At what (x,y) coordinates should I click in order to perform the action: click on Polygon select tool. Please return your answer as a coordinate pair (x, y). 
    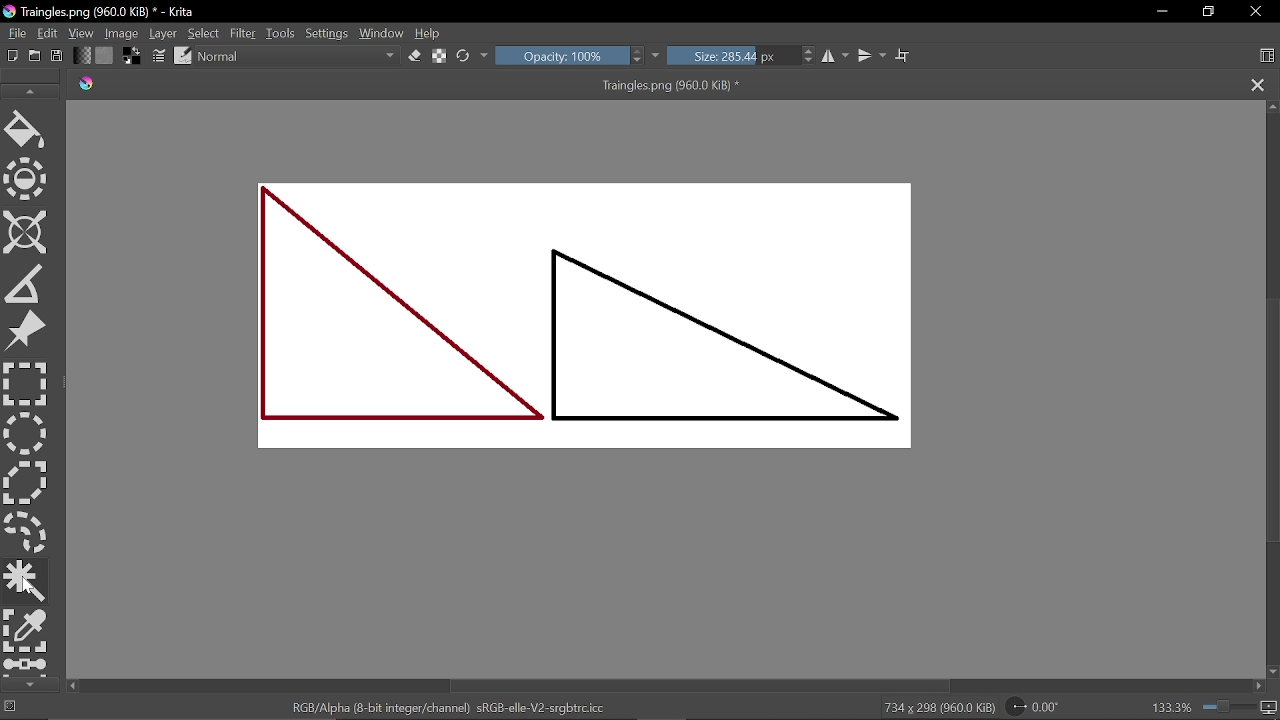
    Looking at the image, I should click on (24, 482).